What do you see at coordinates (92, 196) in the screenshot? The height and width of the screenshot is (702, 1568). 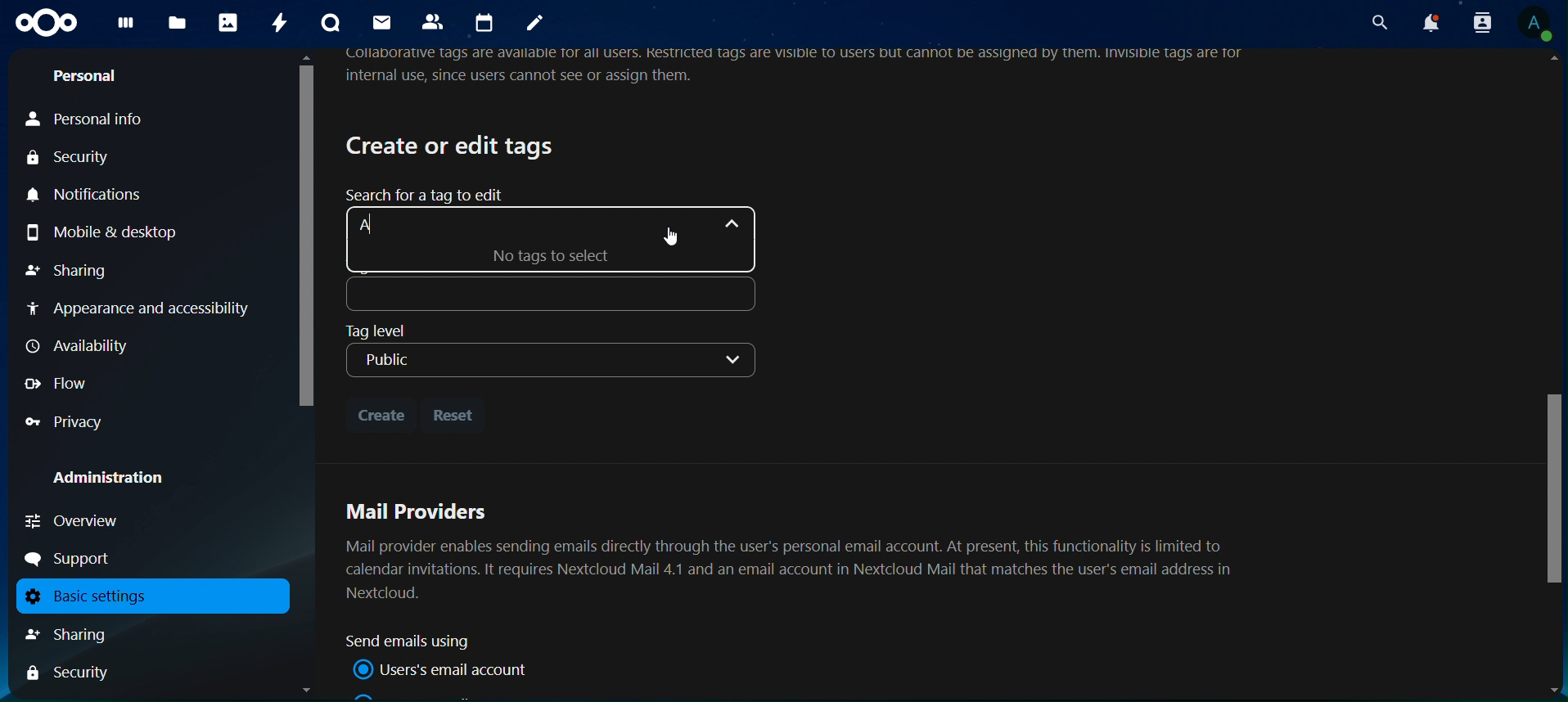 I see `notifications` at bounding box center [92, 196].